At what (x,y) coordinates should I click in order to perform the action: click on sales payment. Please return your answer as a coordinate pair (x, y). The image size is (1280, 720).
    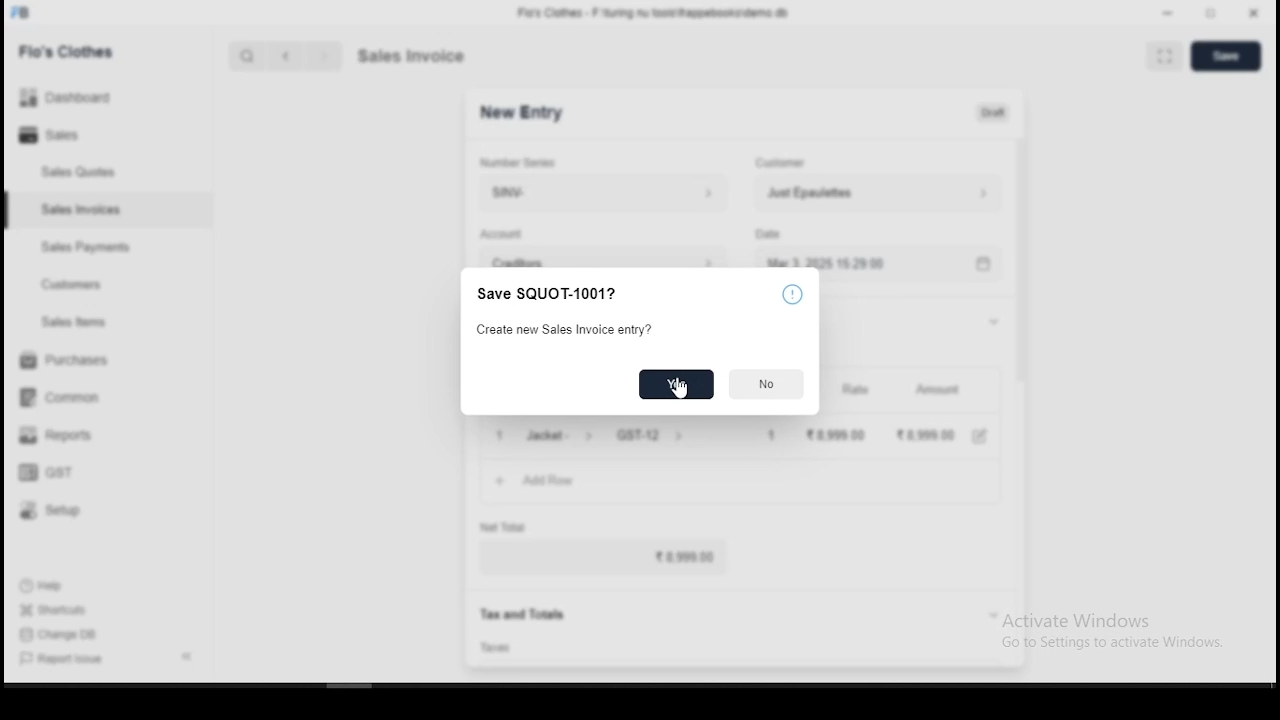
    Looking at the image, I should click on (81, 247).